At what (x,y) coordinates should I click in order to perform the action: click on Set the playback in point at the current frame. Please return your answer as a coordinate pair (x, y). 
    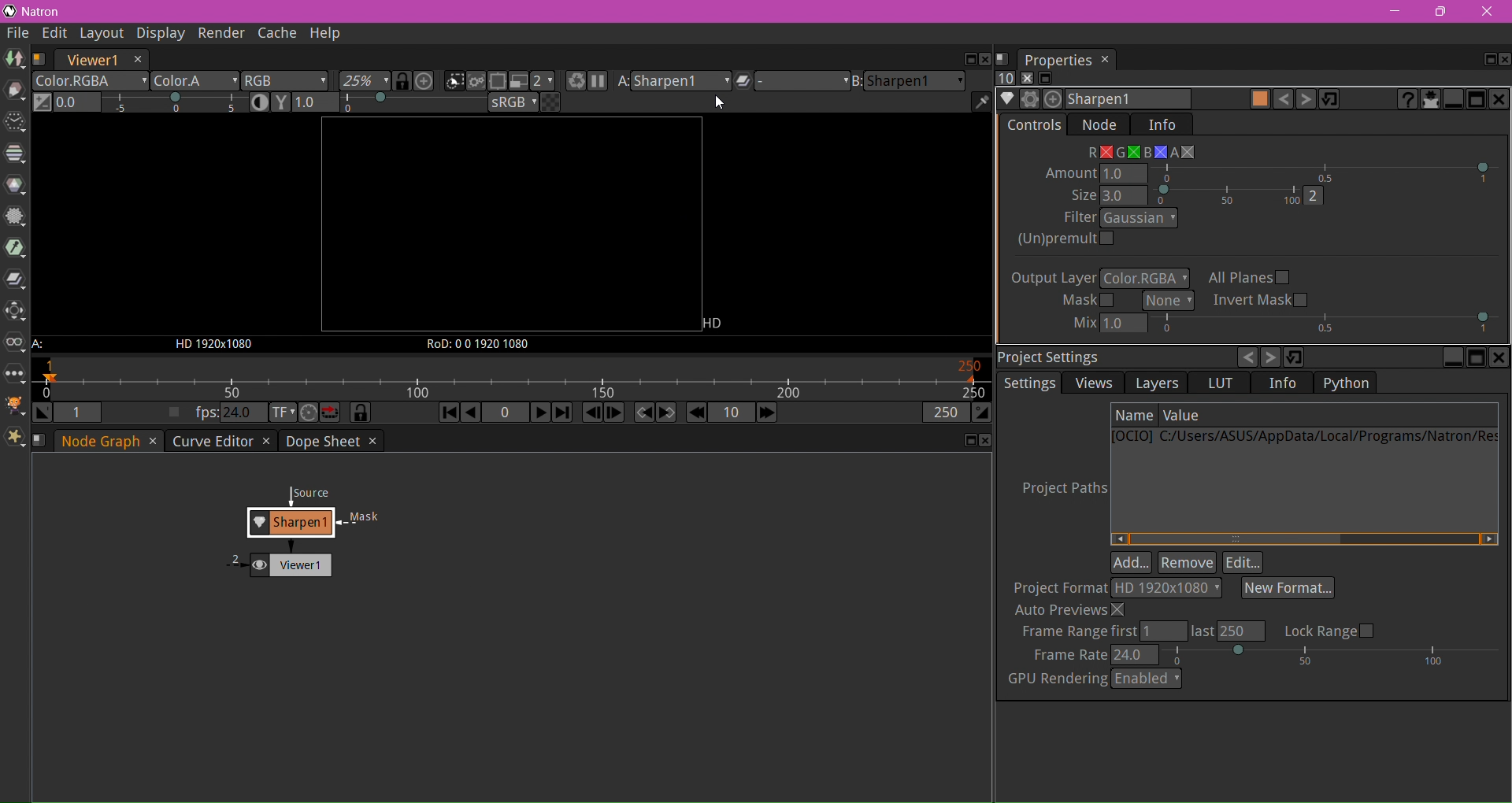
    Looking at the image, I should click on (43, 413).